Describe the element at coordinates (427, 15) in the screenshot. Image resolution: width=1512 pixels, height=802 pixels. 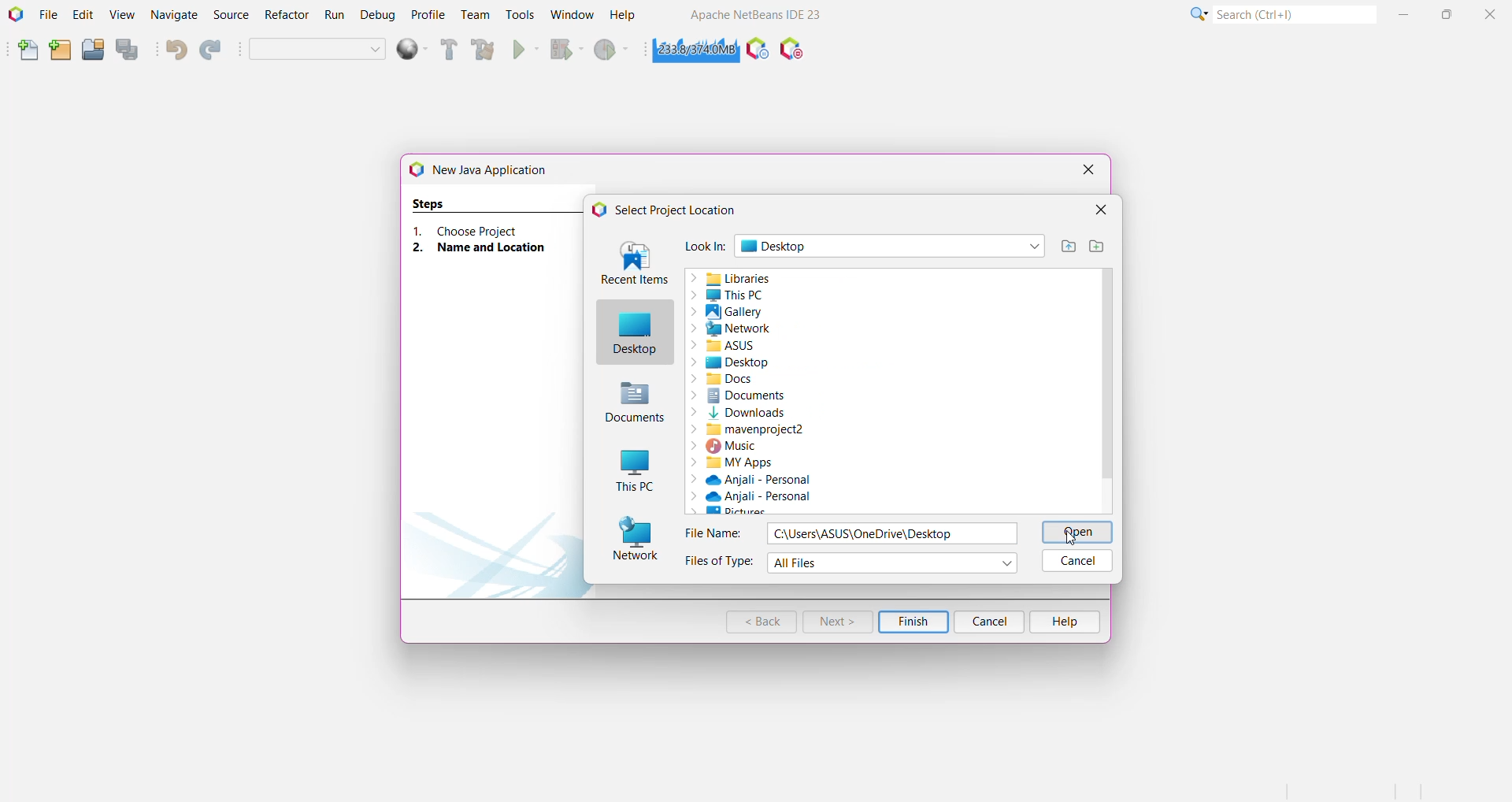
I see `Profile` at that location.